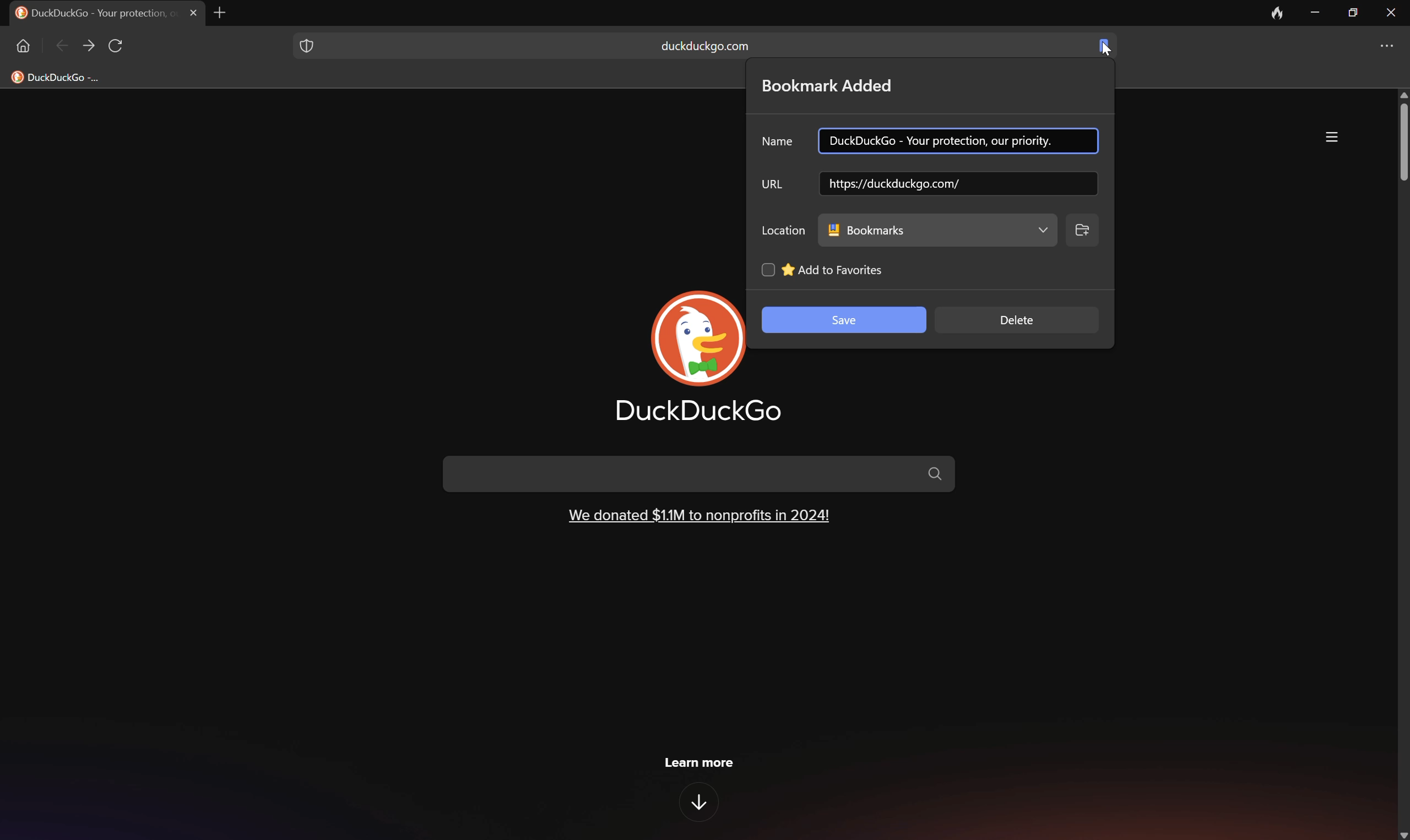 Image resolution: width=1410 pixels, height=840 pixels. What do you see at coordinates (22, 45) in the screenshot?
I see `Home` at bounding box center [22, 45].